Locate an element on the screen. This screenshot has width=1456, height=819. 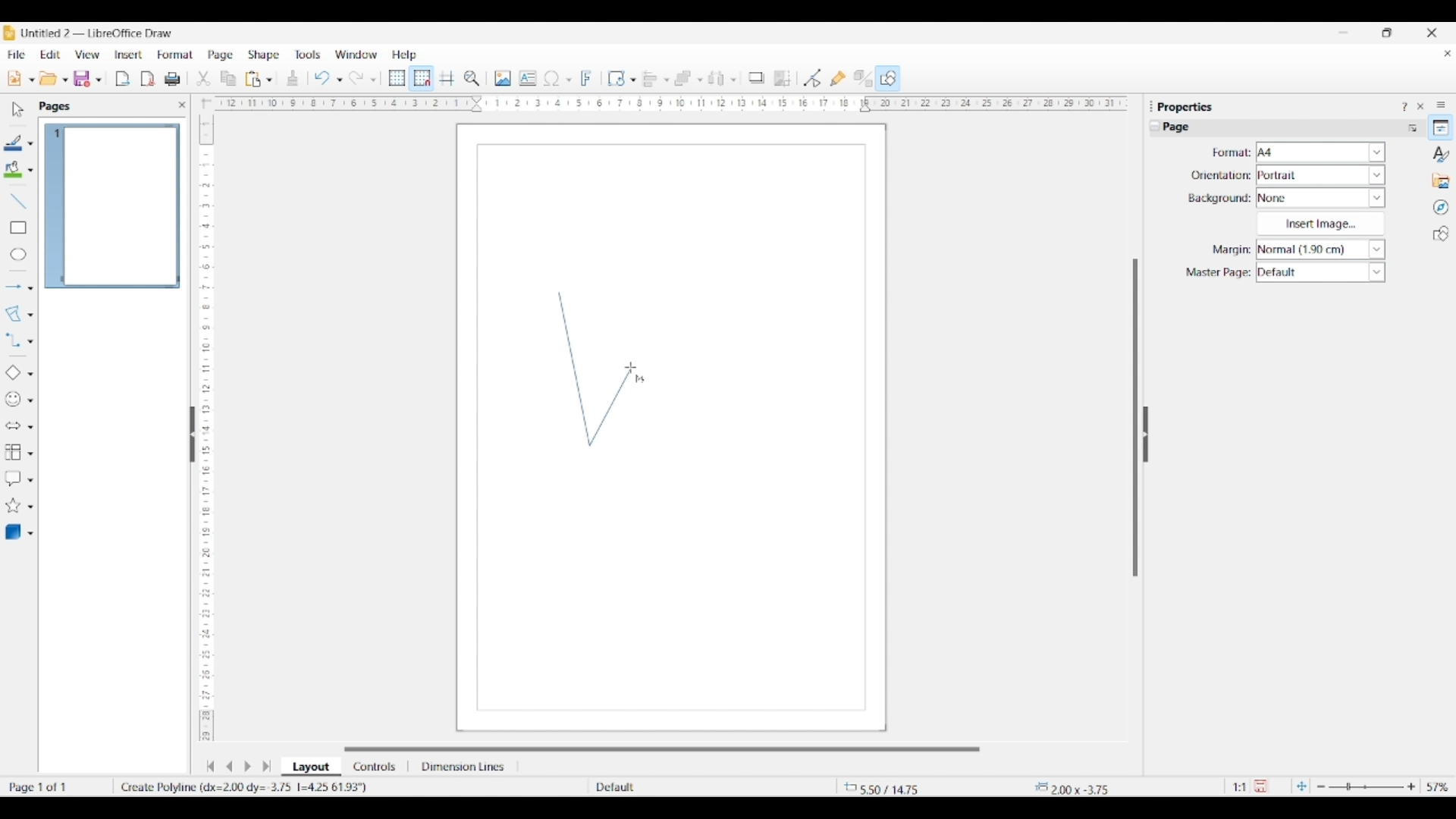
Properties is located at coordinates (1441, 127).